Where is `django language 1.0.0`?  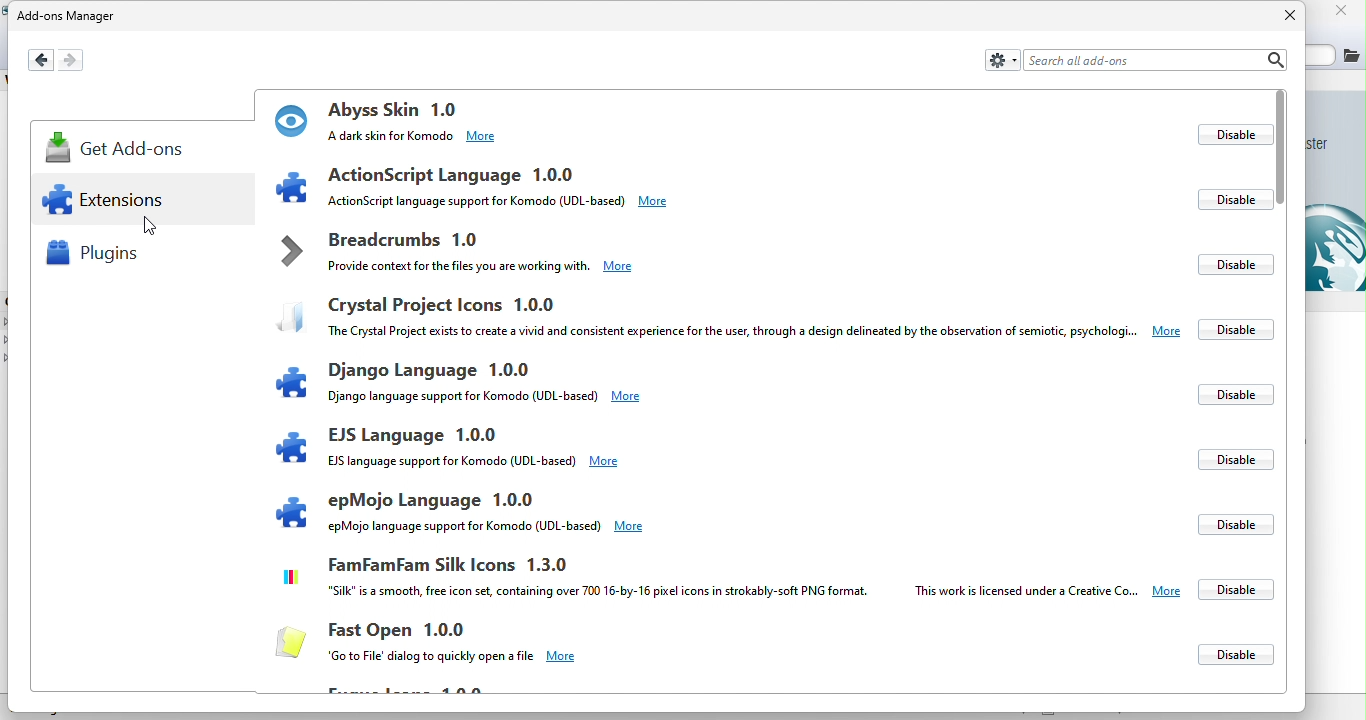 django language 1.0.0 is located at coordinates (540, 384).